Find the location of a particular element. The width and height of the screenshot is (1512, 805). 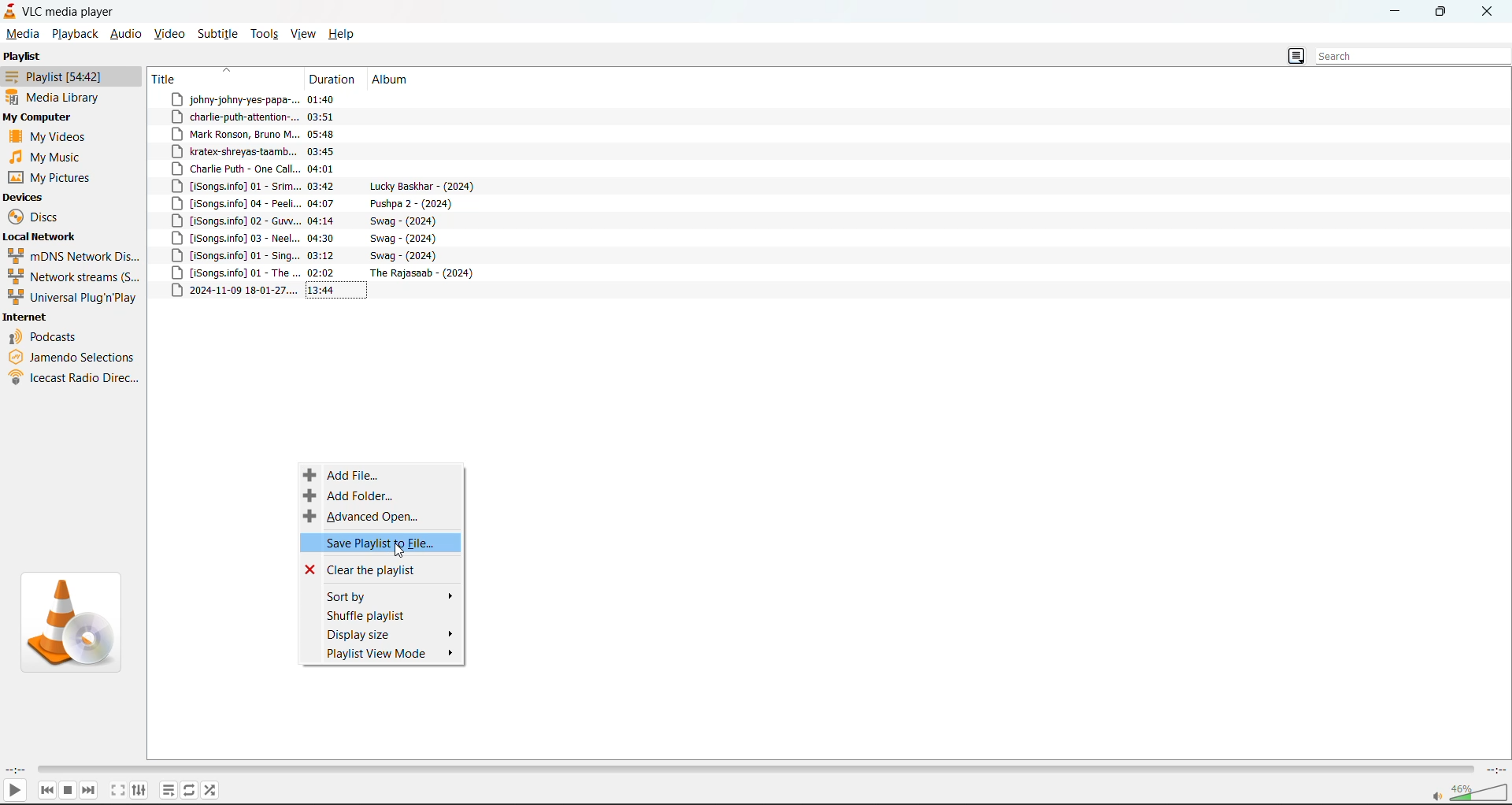

media library is located at coordinates (55, 97).